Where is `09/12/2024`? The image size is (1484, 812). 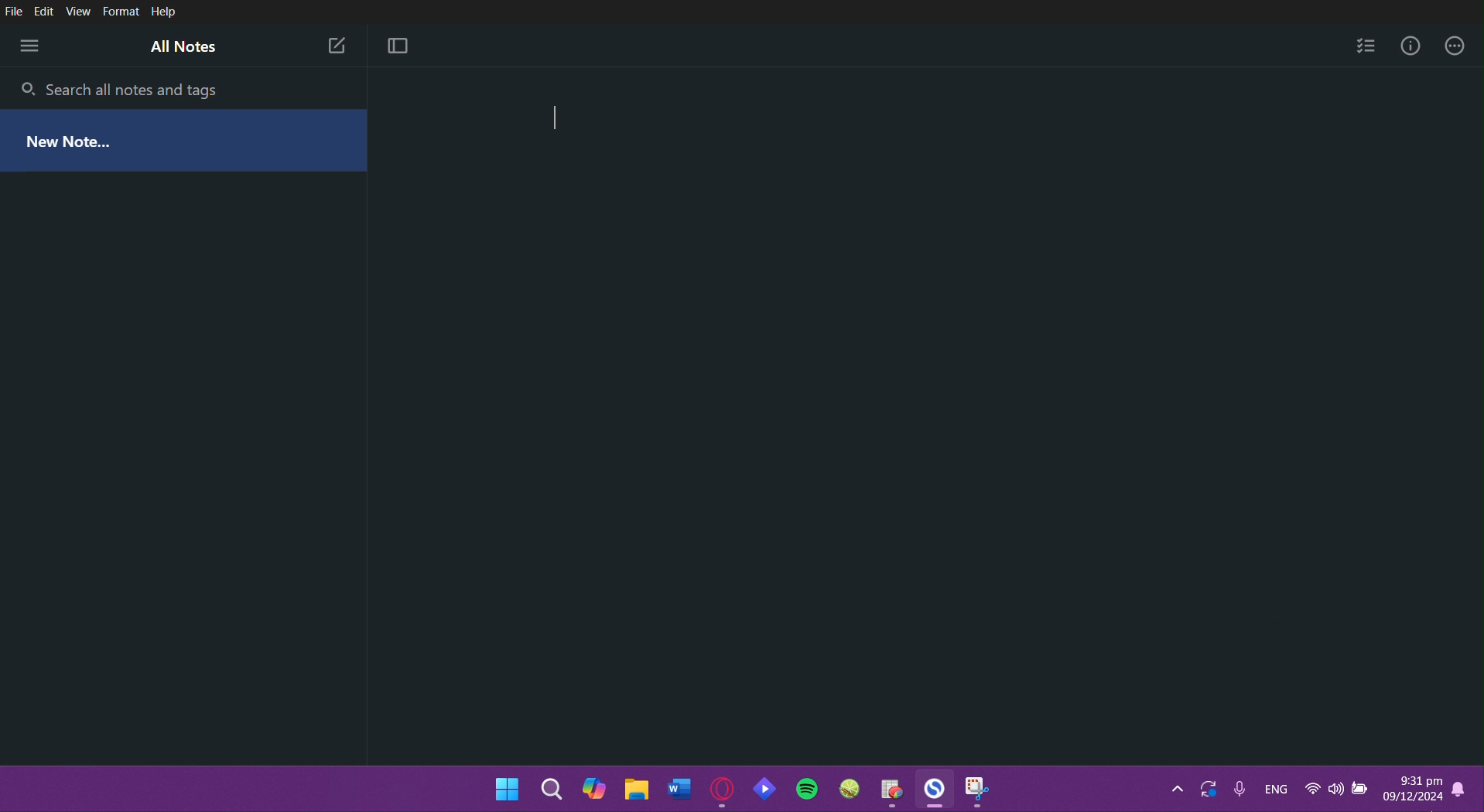
09/12/2024 is located at coordinates (1414, 797).